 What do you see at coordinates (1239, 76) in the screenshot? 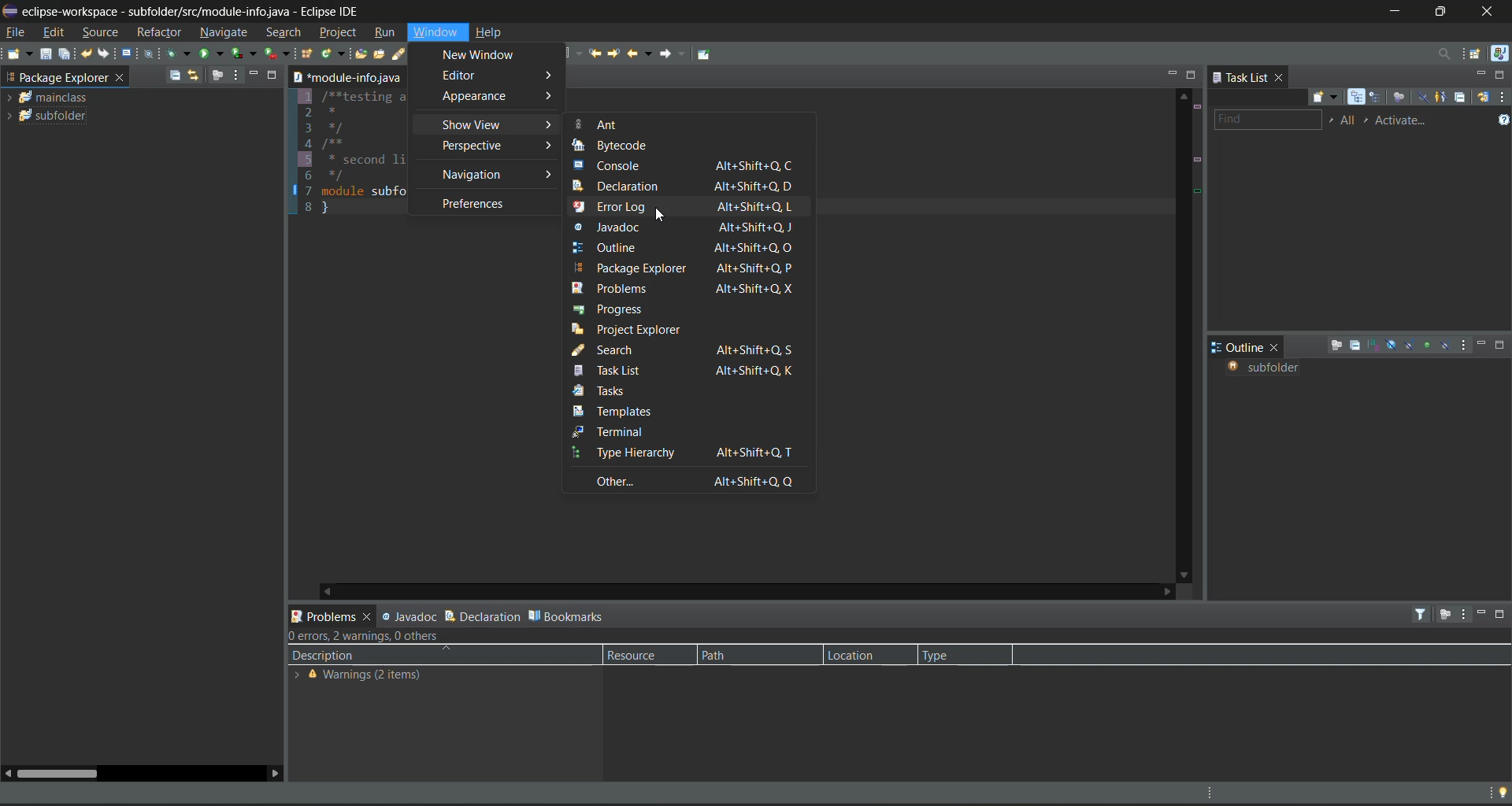
I see `task list` at bounding box center [1239, 76].